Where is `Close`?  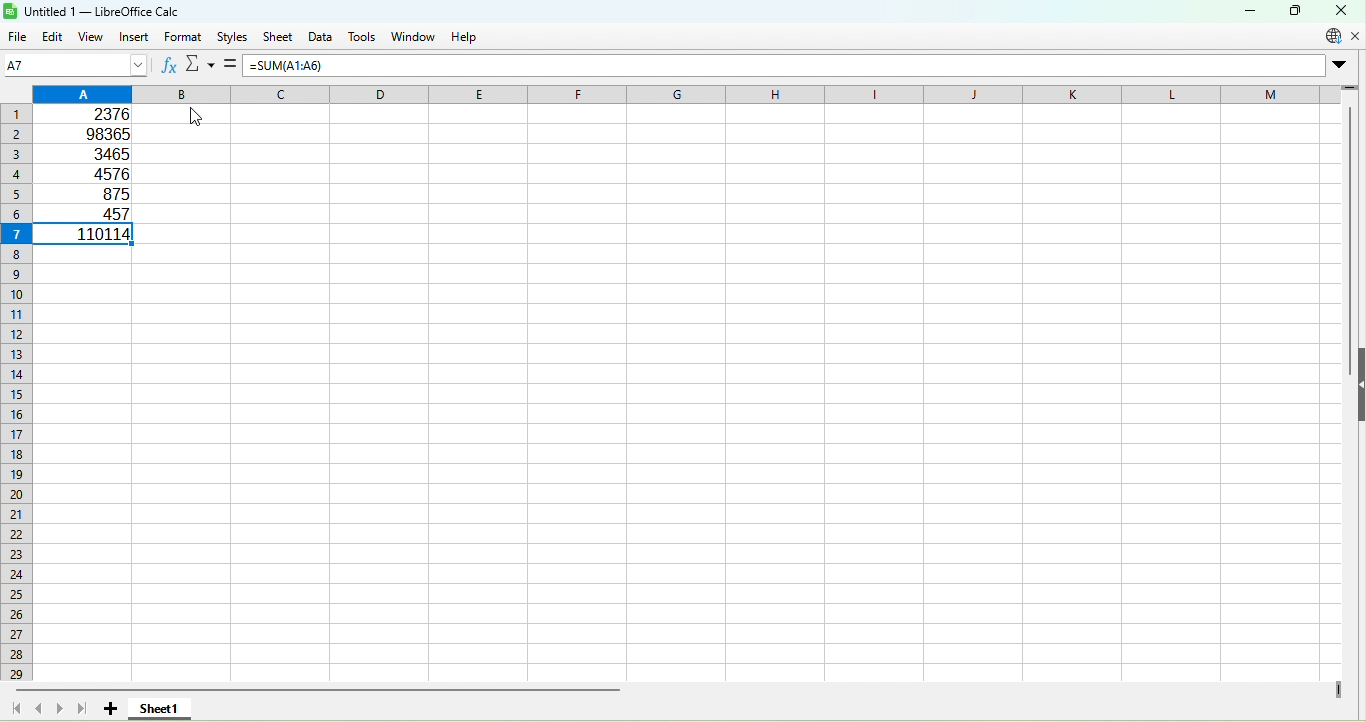
Close is located at coordinates (1339, 10).